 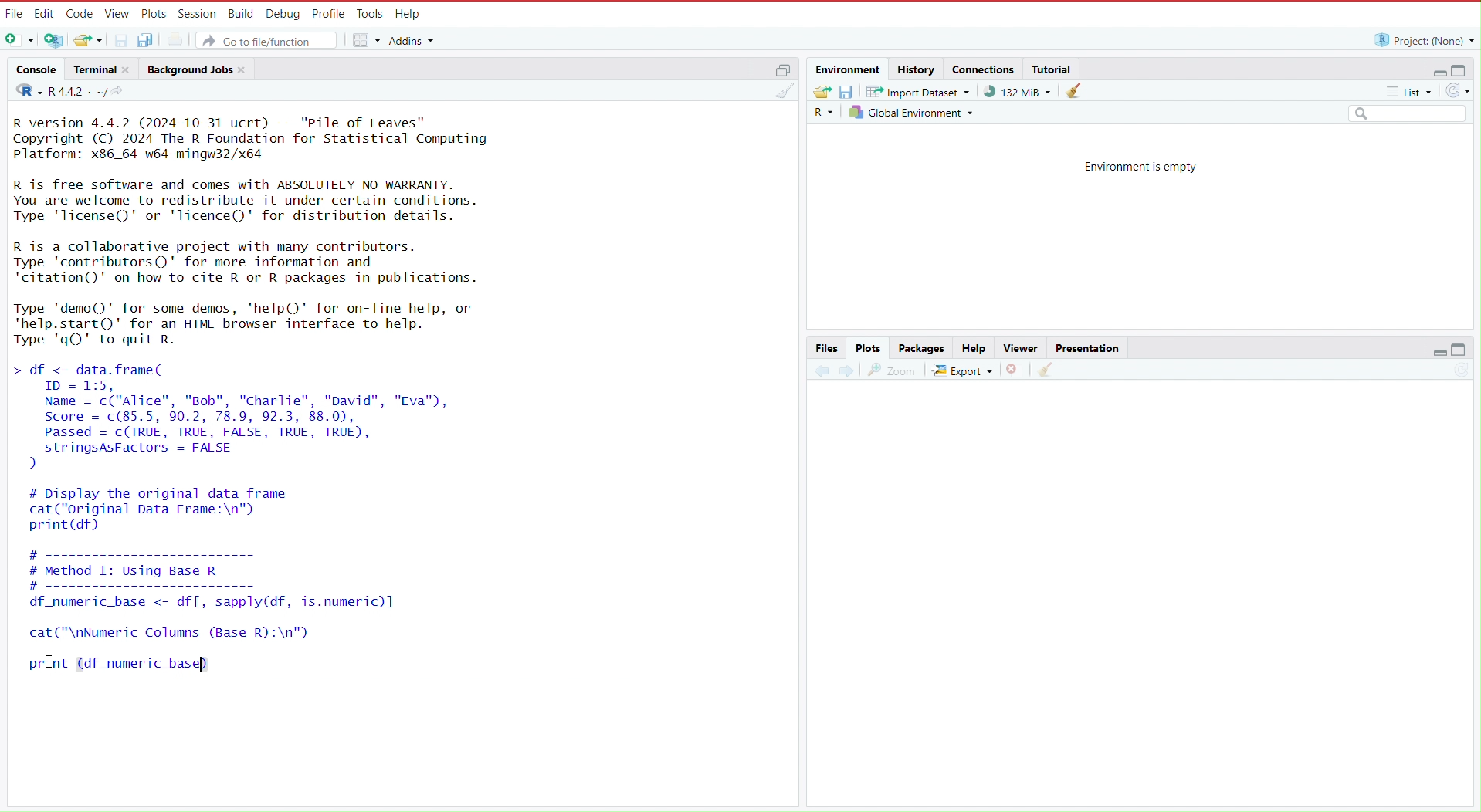 I want to click on create a project, so click(x=54, y=39).